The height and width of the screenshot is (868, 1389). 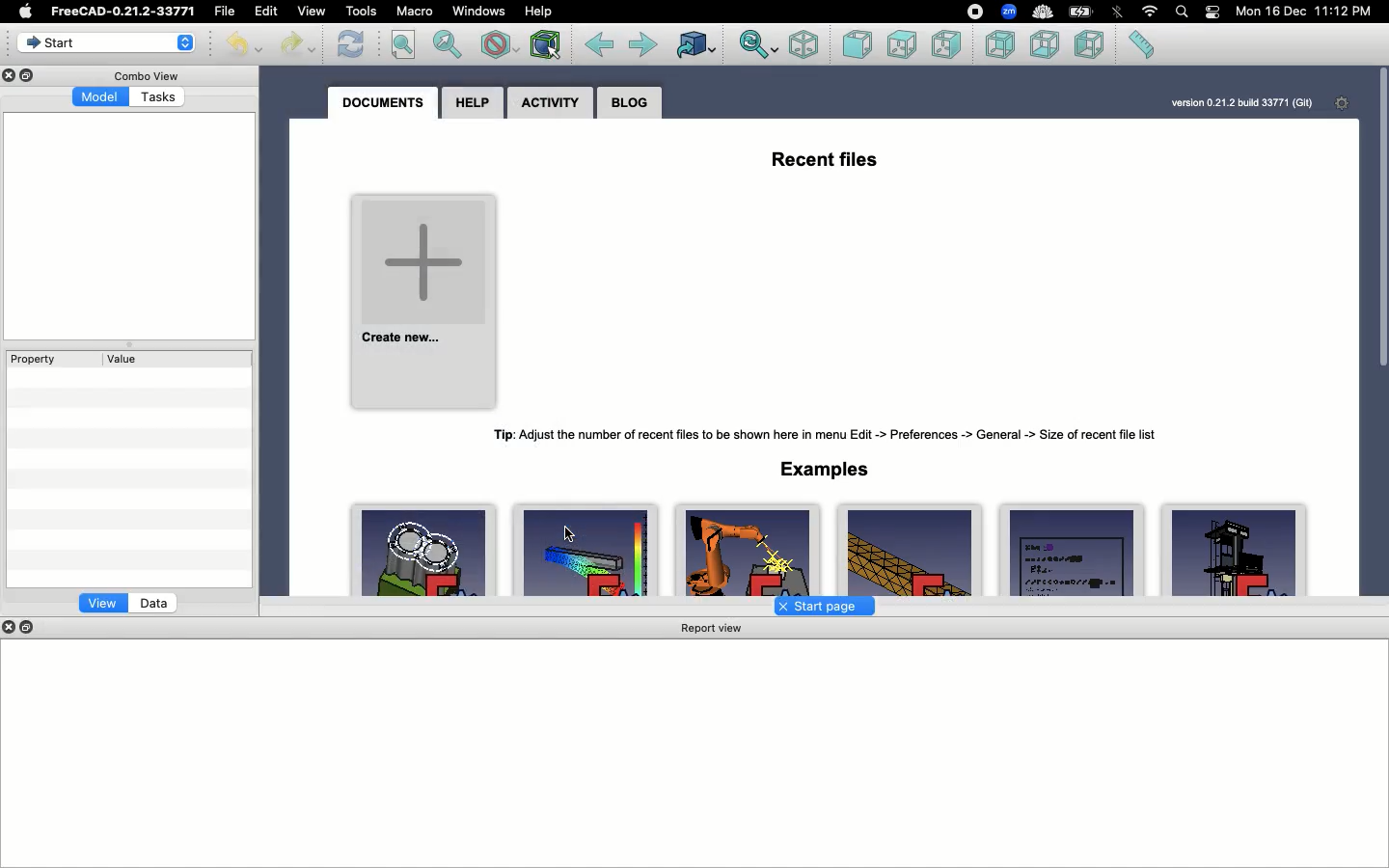 What do you see at coordinates (803, 44) in the screenshot?
I see `Isometric` at bounding box center [803, 44].